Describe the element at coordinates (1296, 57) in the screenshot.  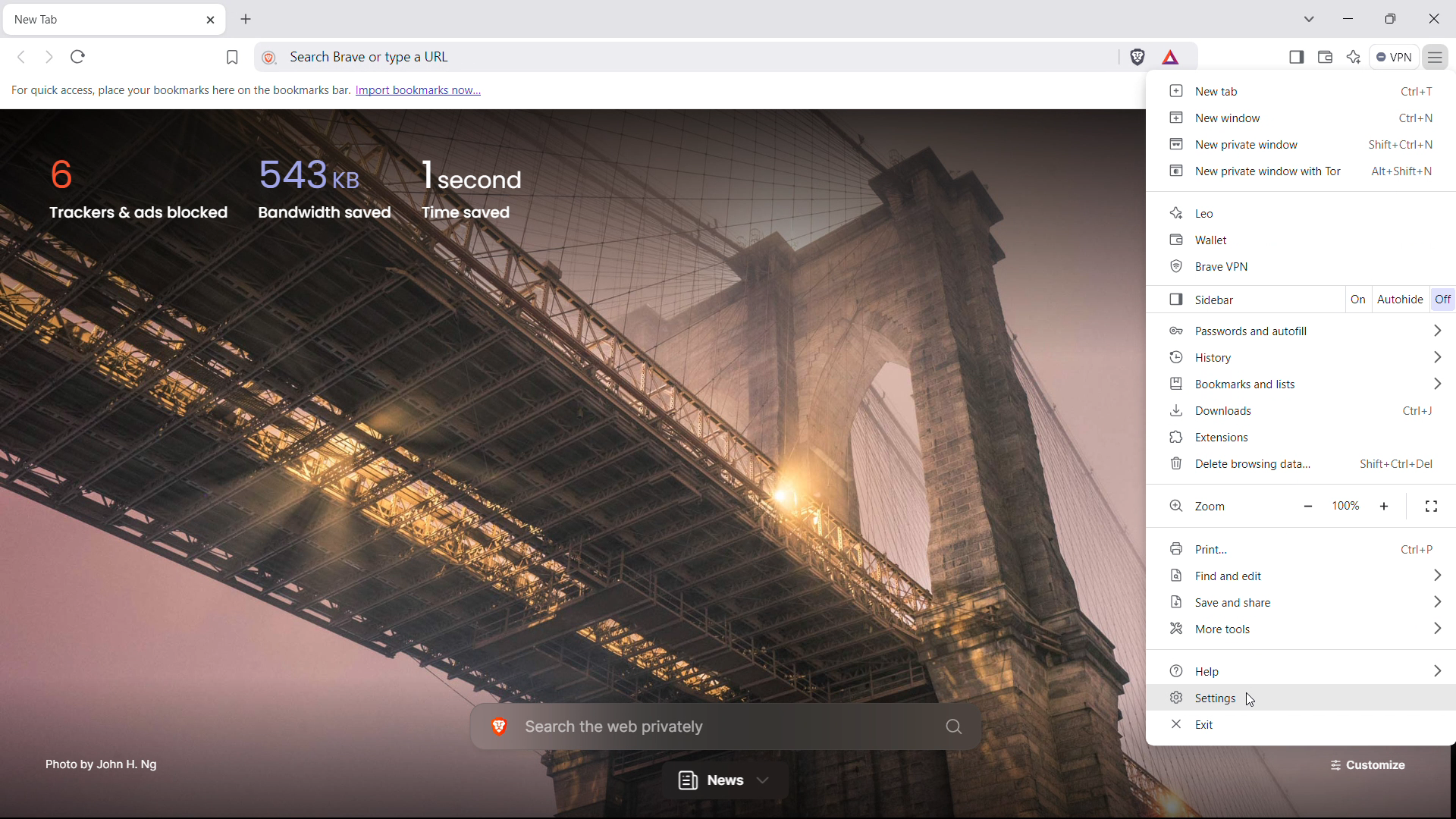
I see `open sidebar` at that location.